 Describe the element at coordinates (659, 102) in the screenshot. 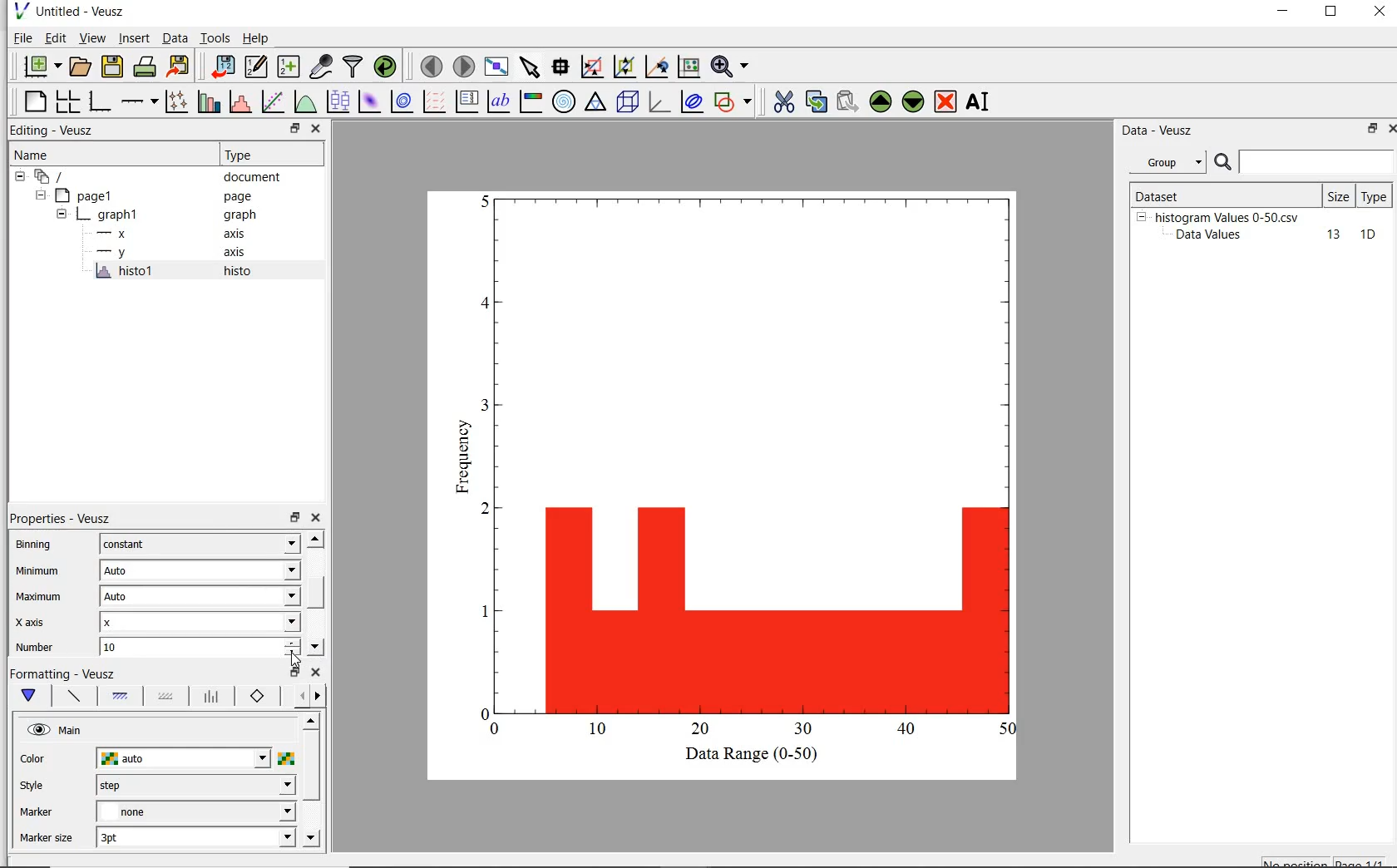

I see `3d graph` at that location.